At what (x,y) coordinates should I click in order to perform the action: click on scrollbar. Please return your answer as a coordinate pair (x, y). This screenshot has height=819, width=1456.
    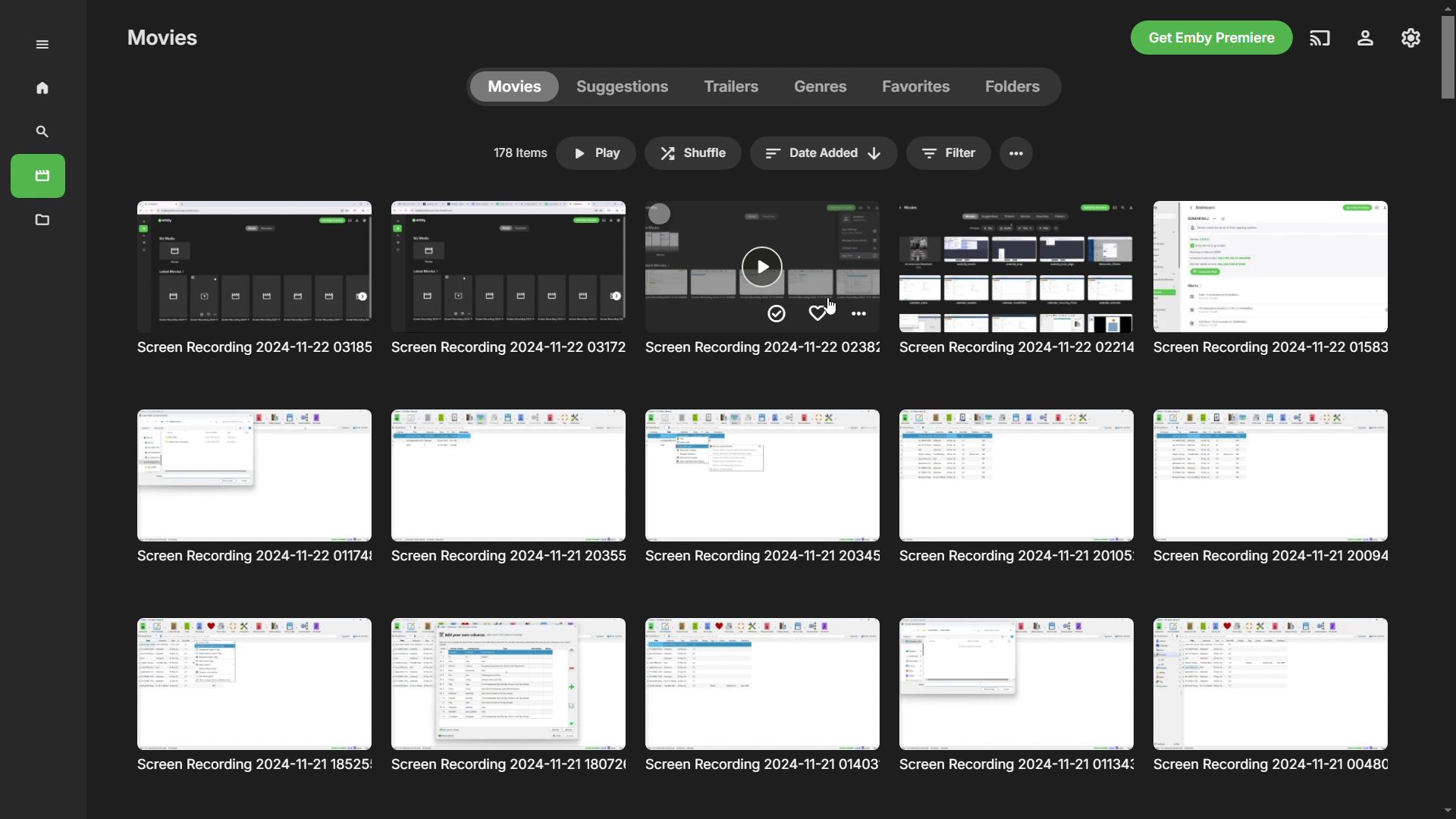
    Looking at the image, I should click on (1447, 58).